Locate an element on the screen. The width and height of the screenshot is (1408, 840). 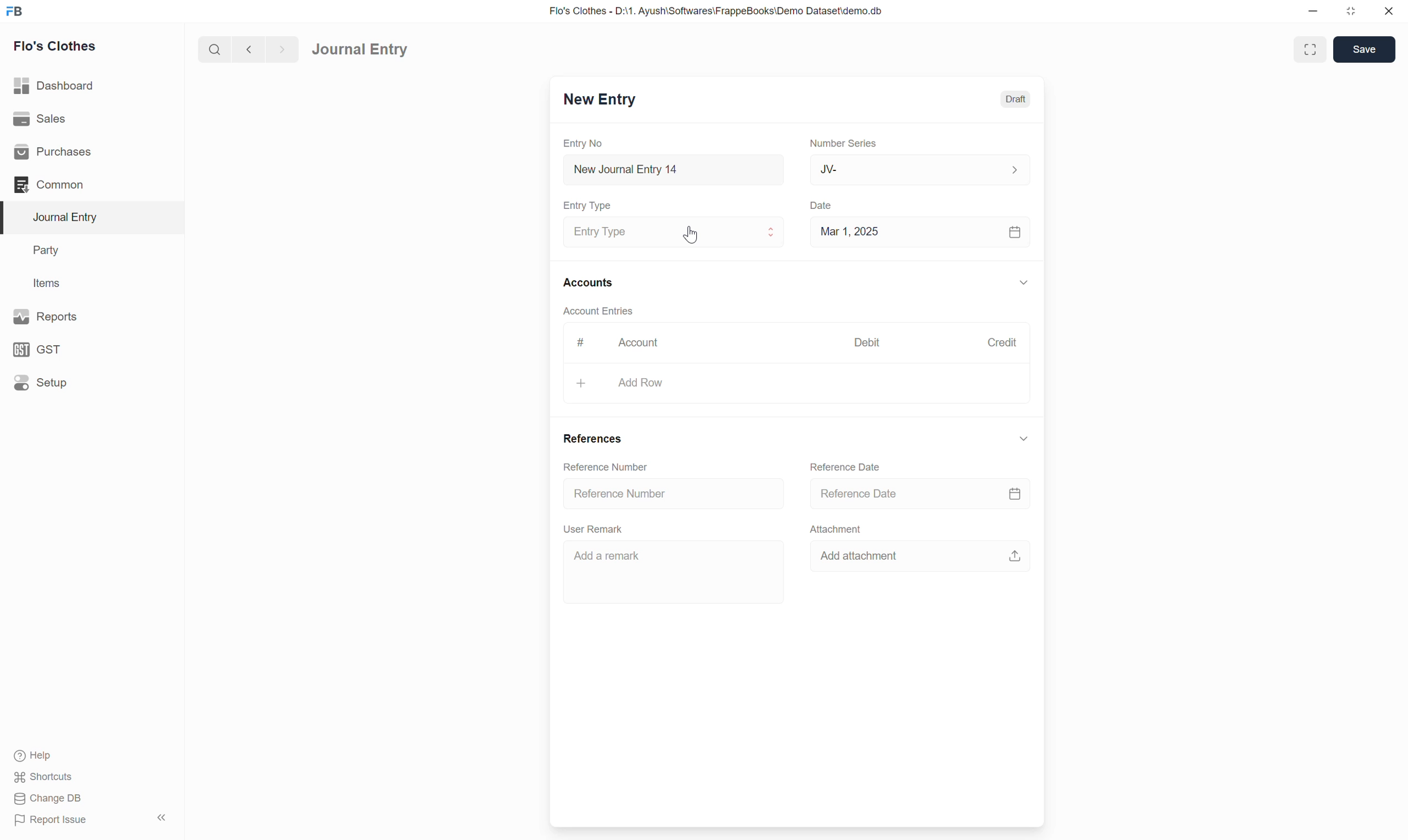
JV- is located at coordinates (921, 169).